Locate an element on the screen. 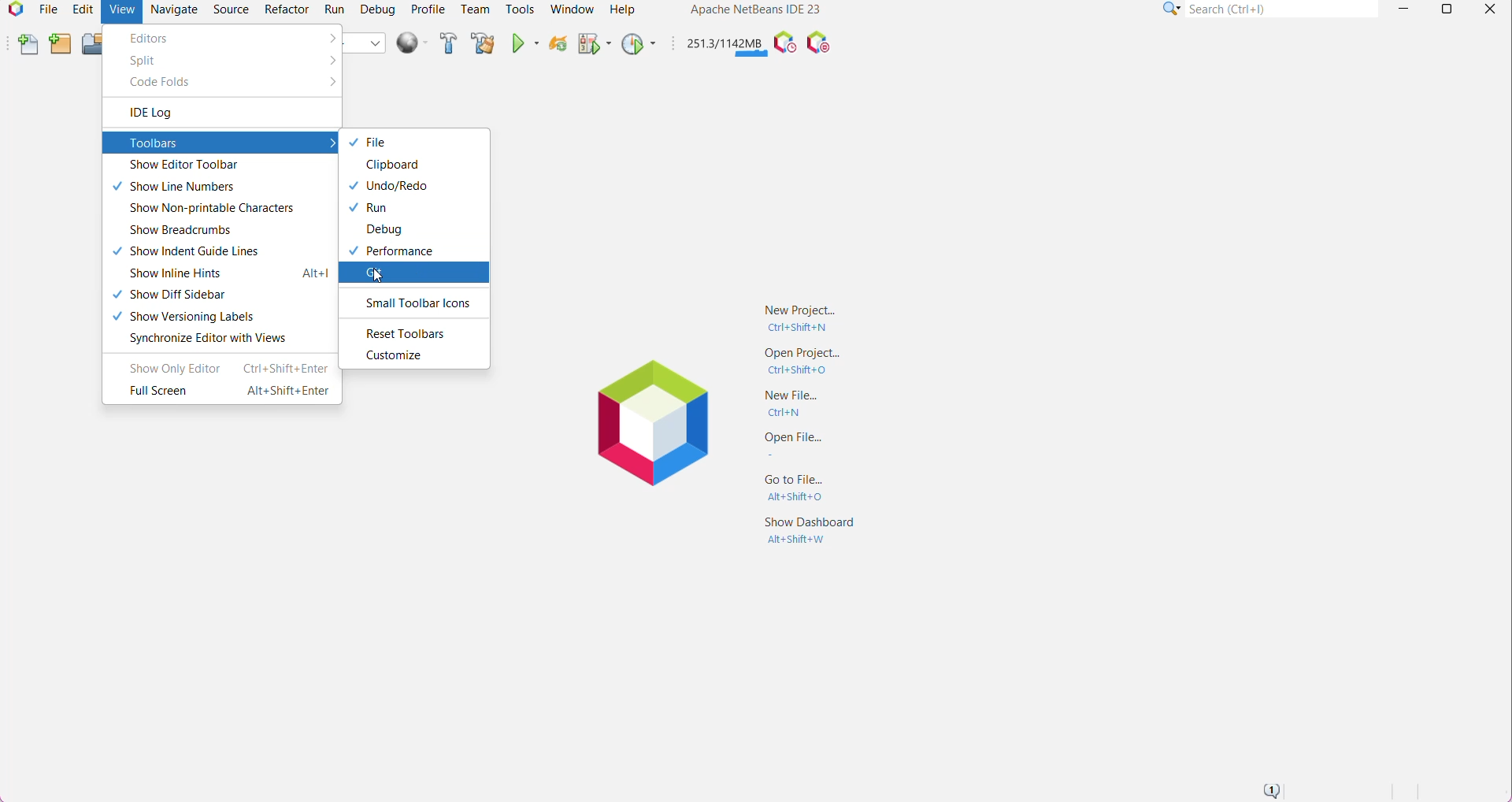 The image size is (1512, 802). More options is located at coordinates (328, 38).